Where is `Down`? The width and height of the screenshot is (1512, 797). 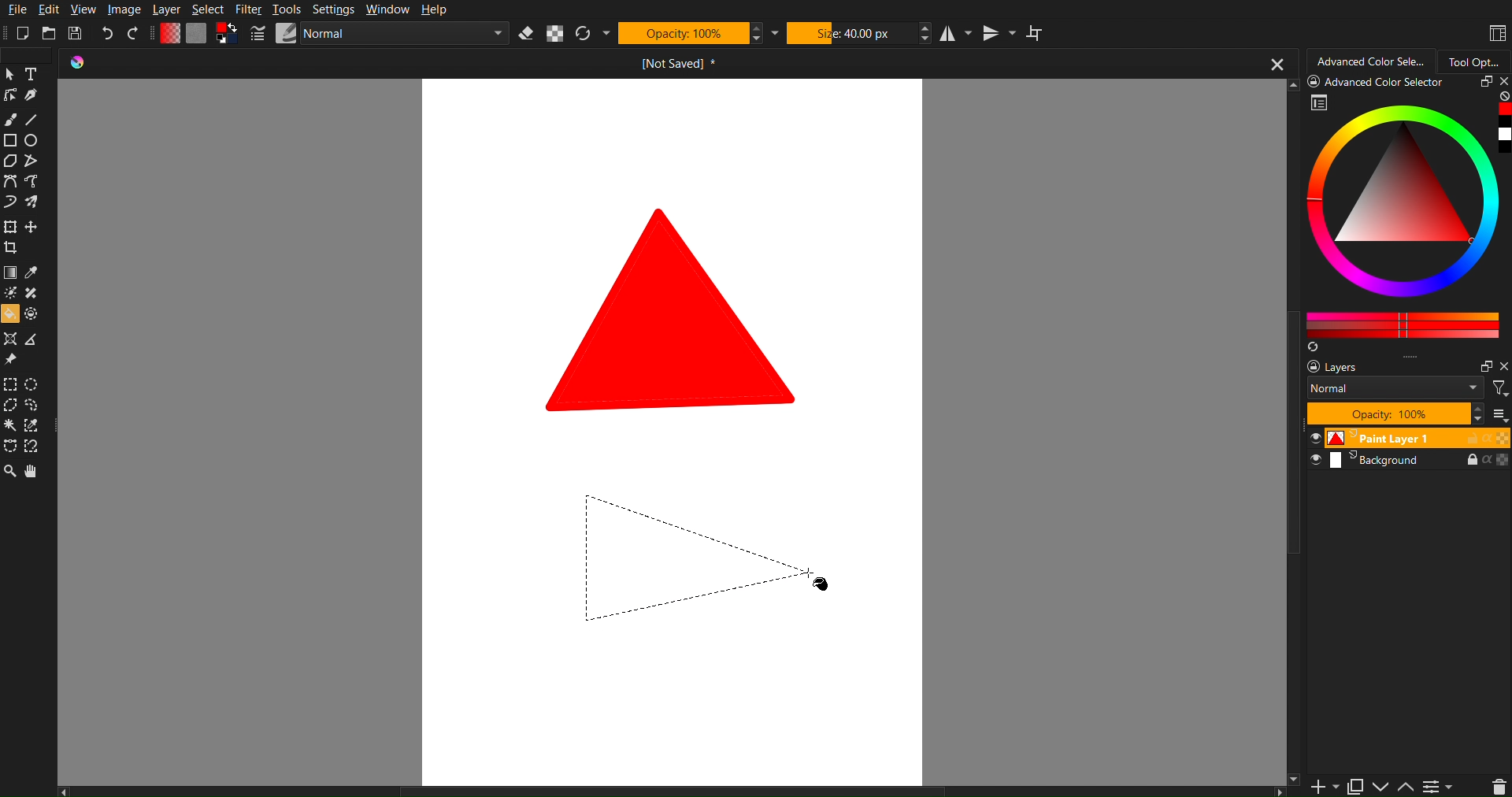 Down is located at coordinates (1381, 787).